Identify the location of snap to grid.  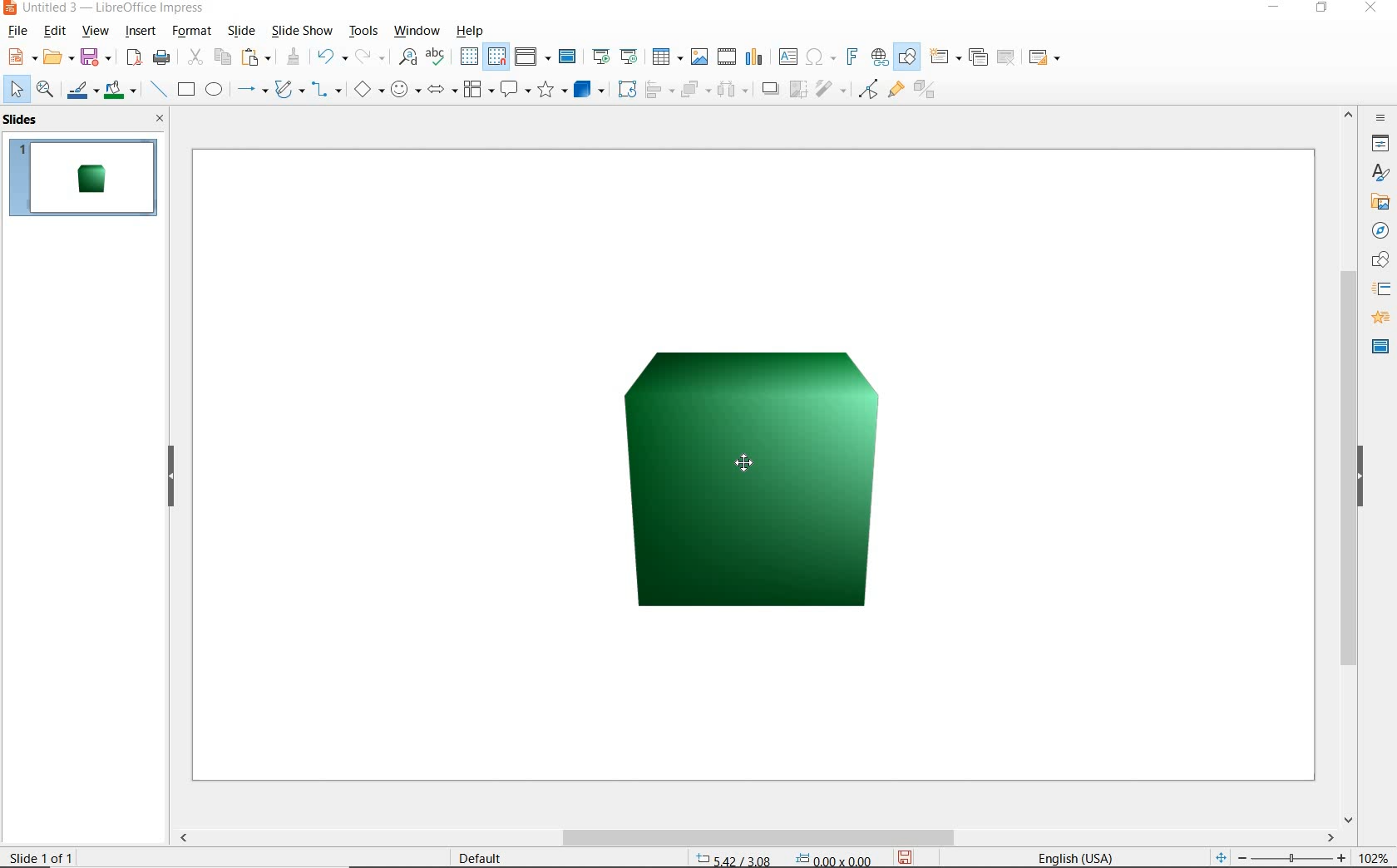
(497, 57).